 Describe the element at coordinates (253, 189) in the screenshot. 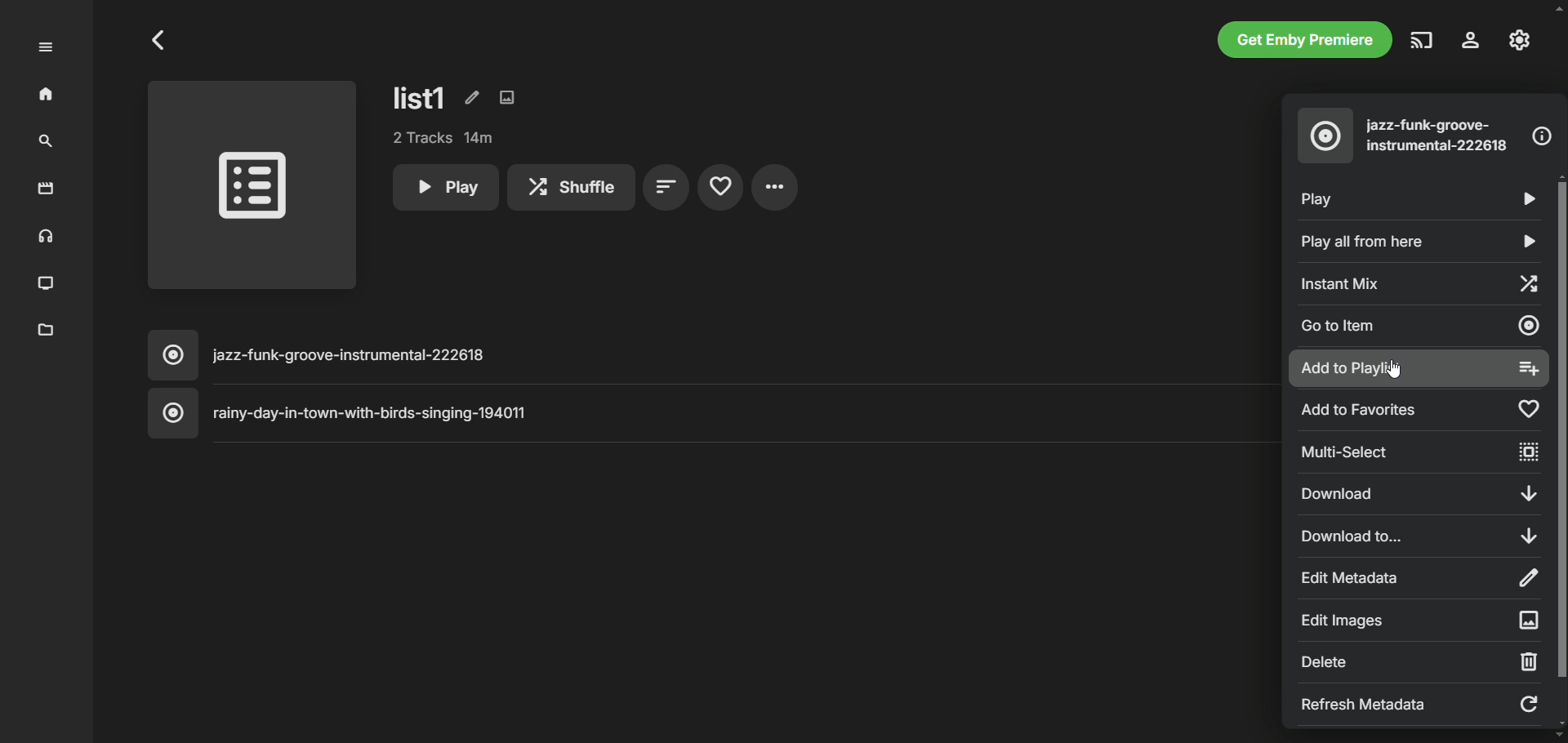

I see `playlist` at that location.